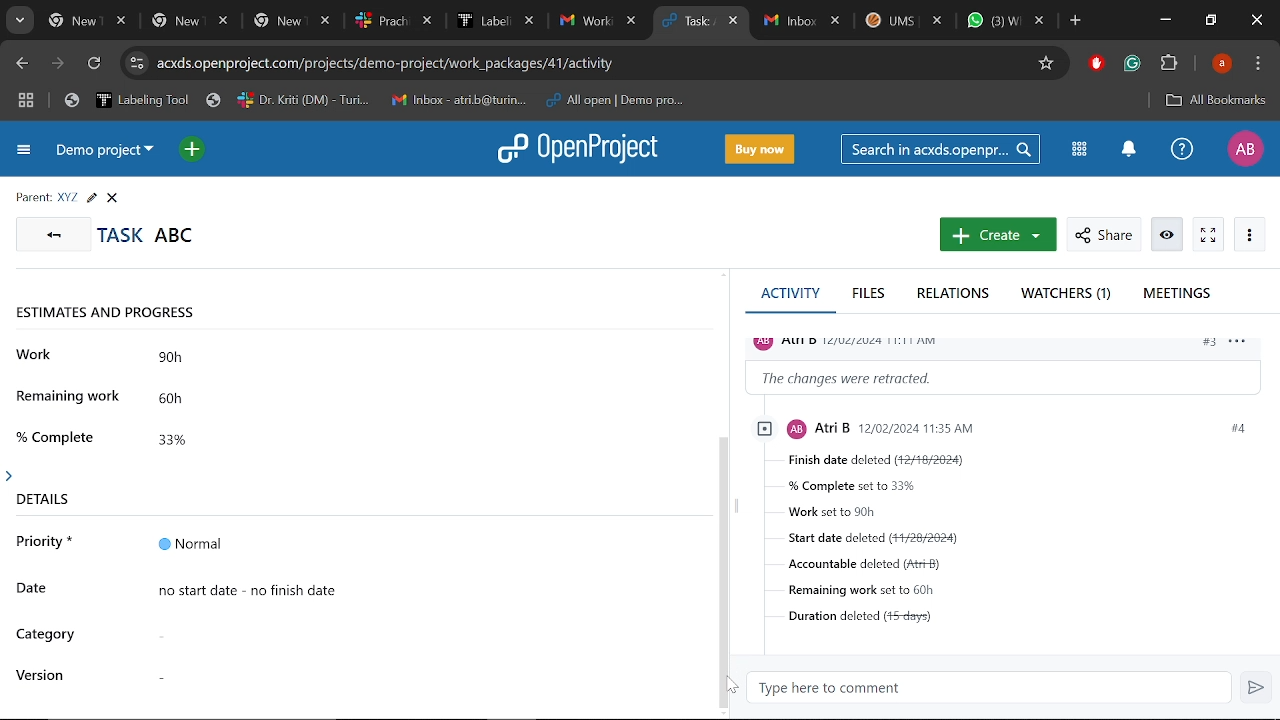 The width and height of the screenshot is (1280, 720). What do you see at coordinates (95, 66) in the screenshot?
I see `Refresh` at bounding box center [95, 66].